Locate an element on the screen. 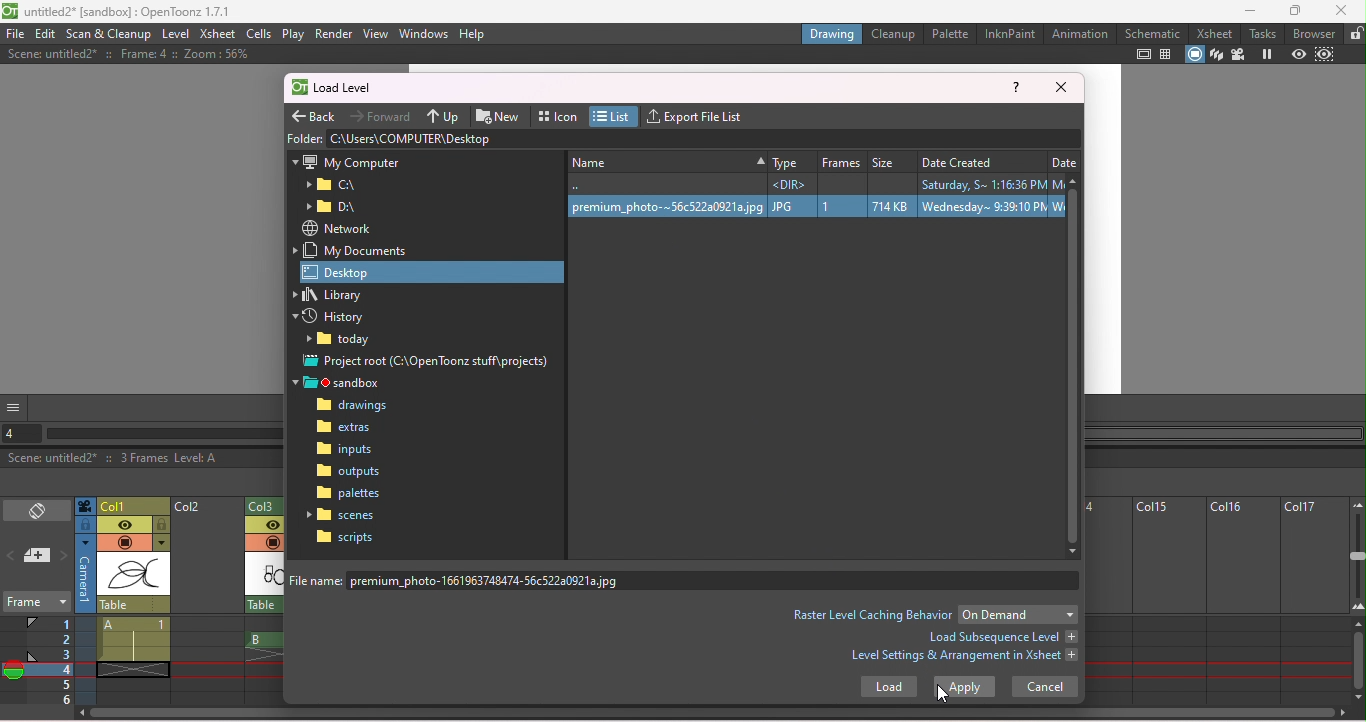 This screenshot has width=1366, height=722. Export file list is located at coordinates (700, 114).